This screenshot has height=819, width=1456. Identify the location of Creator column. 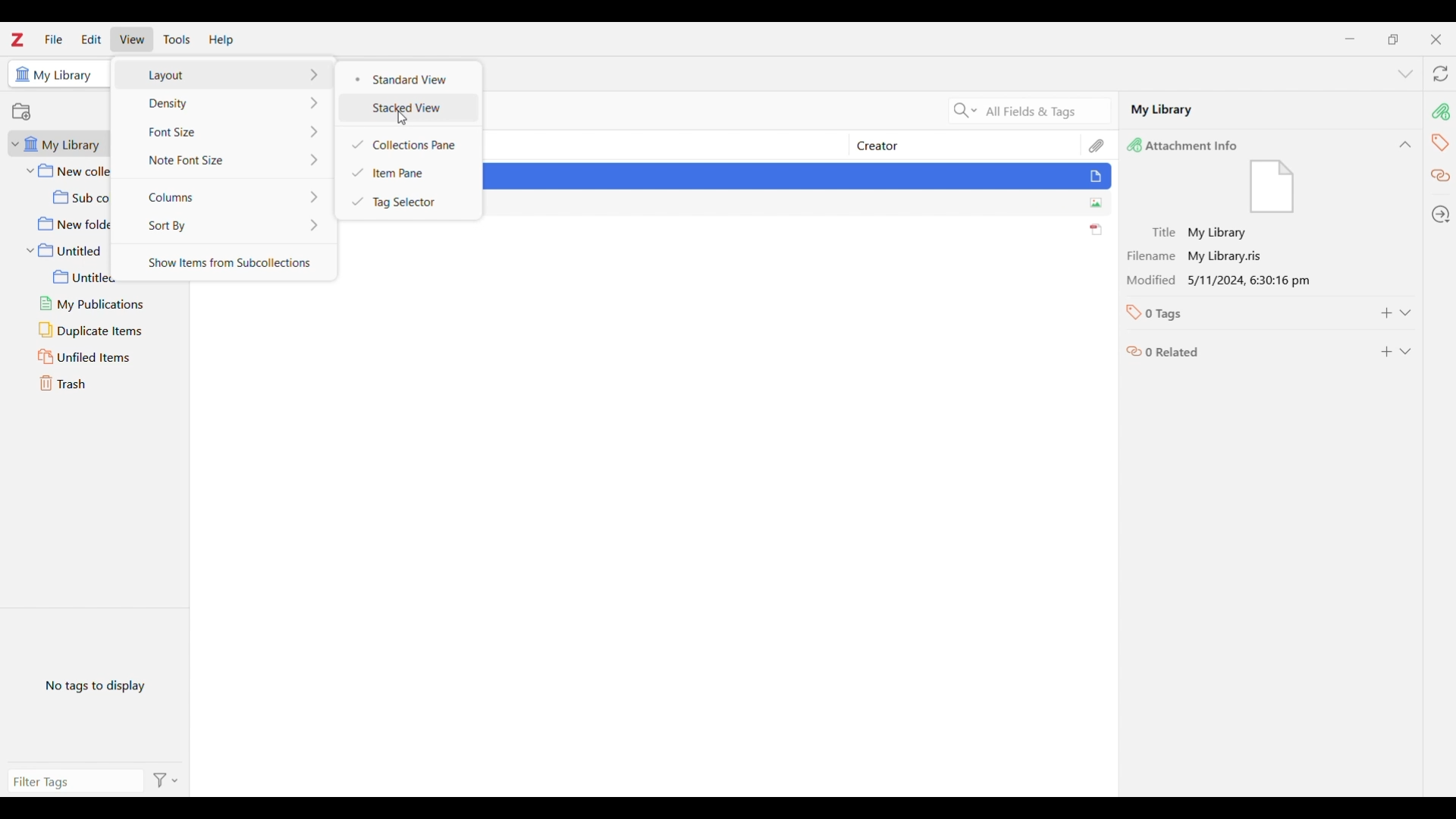
(950, 145).